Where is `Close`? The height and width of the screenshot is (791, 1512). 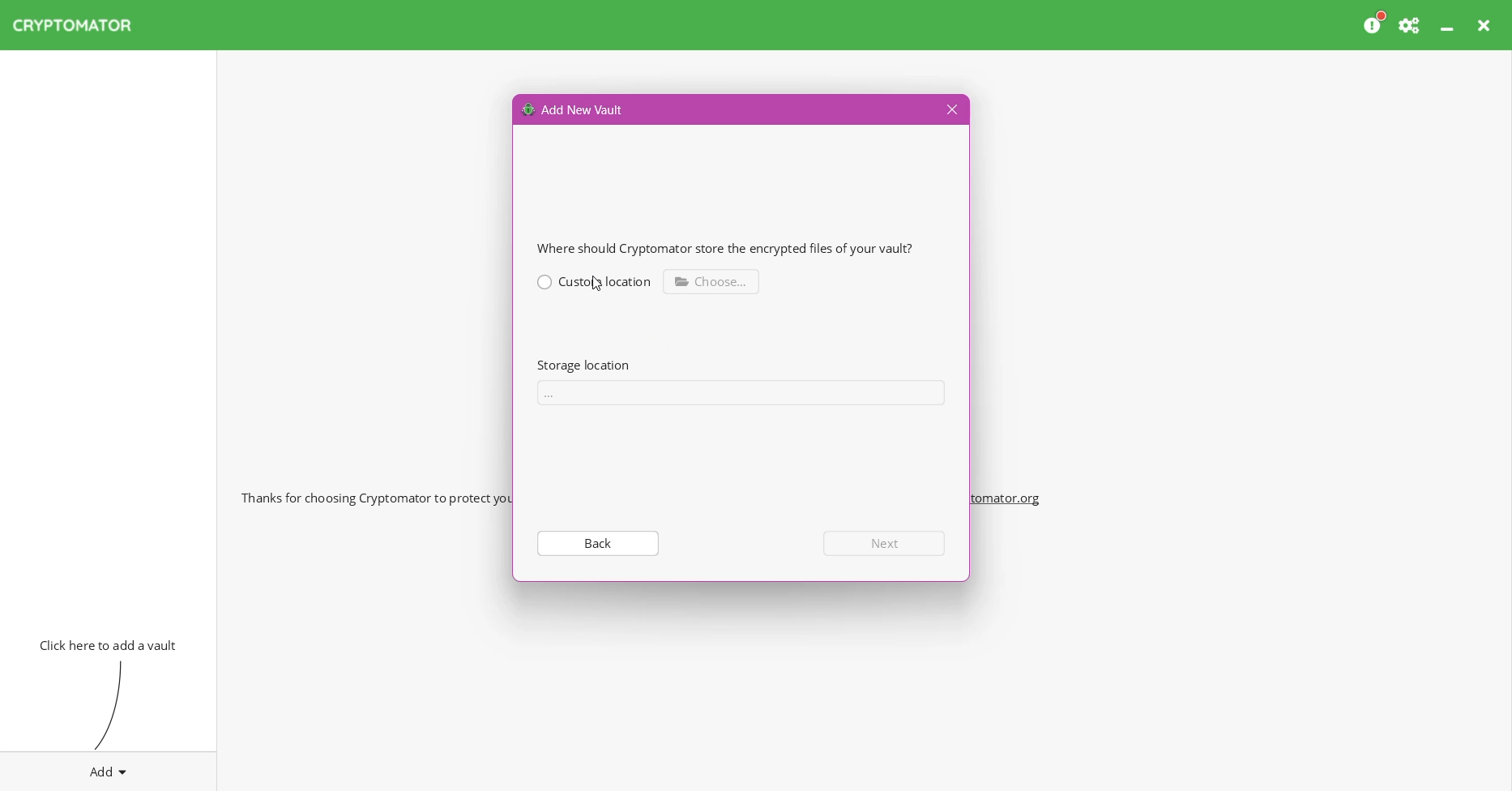
Close is located at coordinates (1486, 25).